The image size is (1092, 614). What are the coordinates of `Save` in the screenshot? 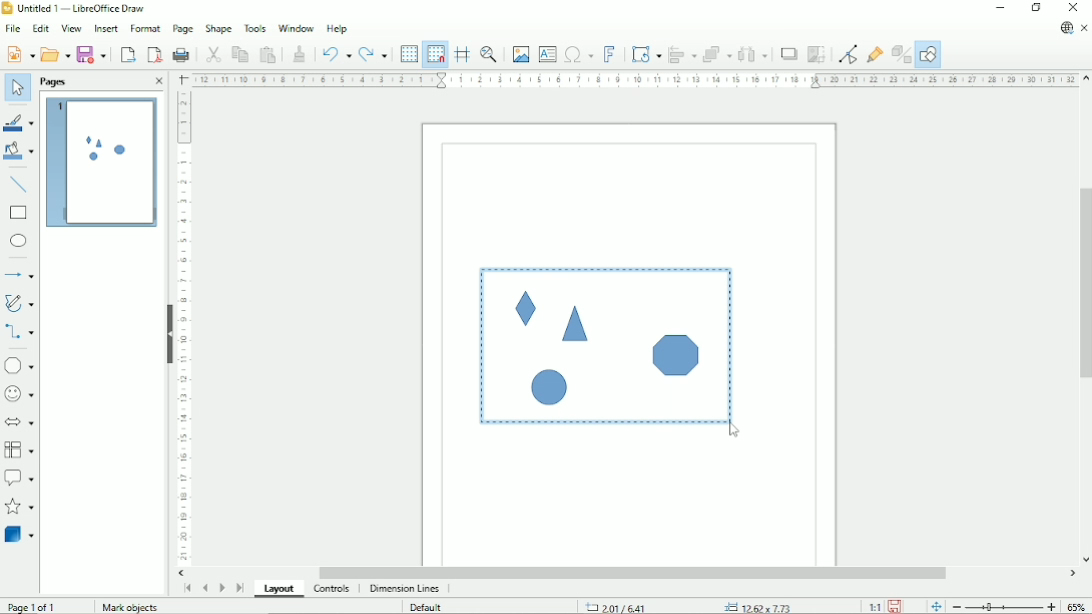 It's located at (895, 606).